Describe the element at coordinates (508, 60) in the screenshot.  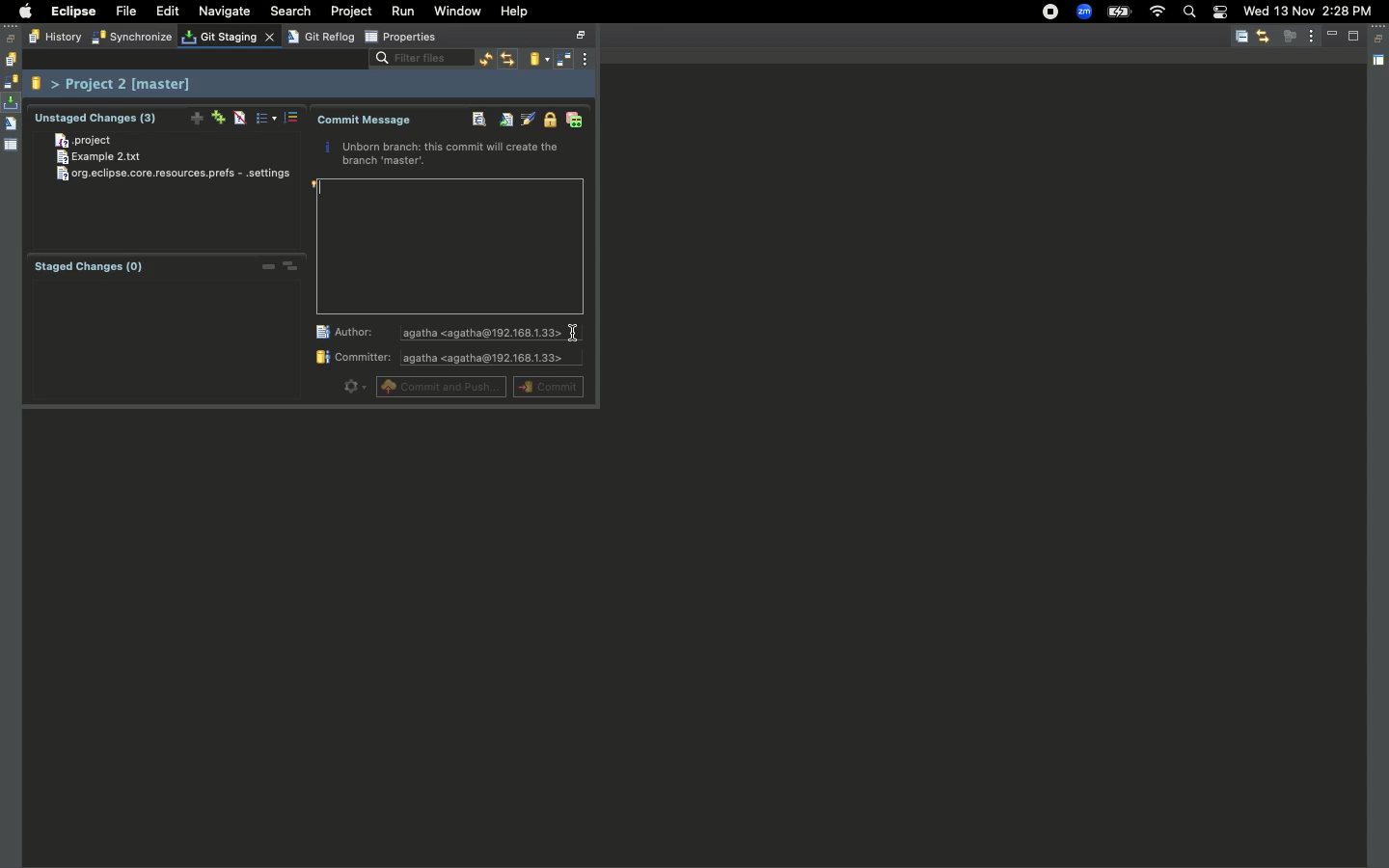
I see `Link with editor and selection` at that location.